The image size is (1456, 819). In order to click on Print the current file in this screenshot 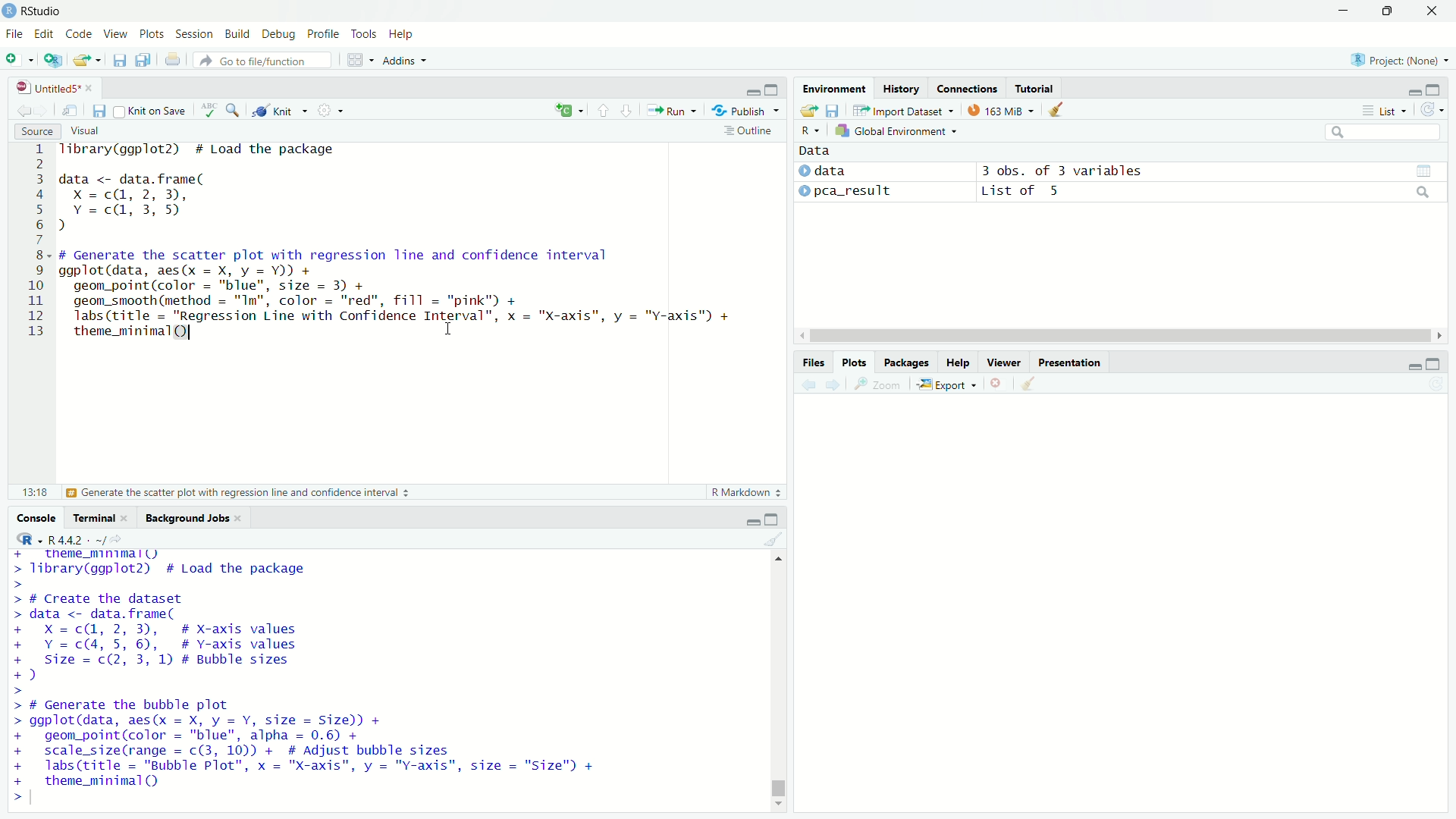, I will do `click(172, 58)`.